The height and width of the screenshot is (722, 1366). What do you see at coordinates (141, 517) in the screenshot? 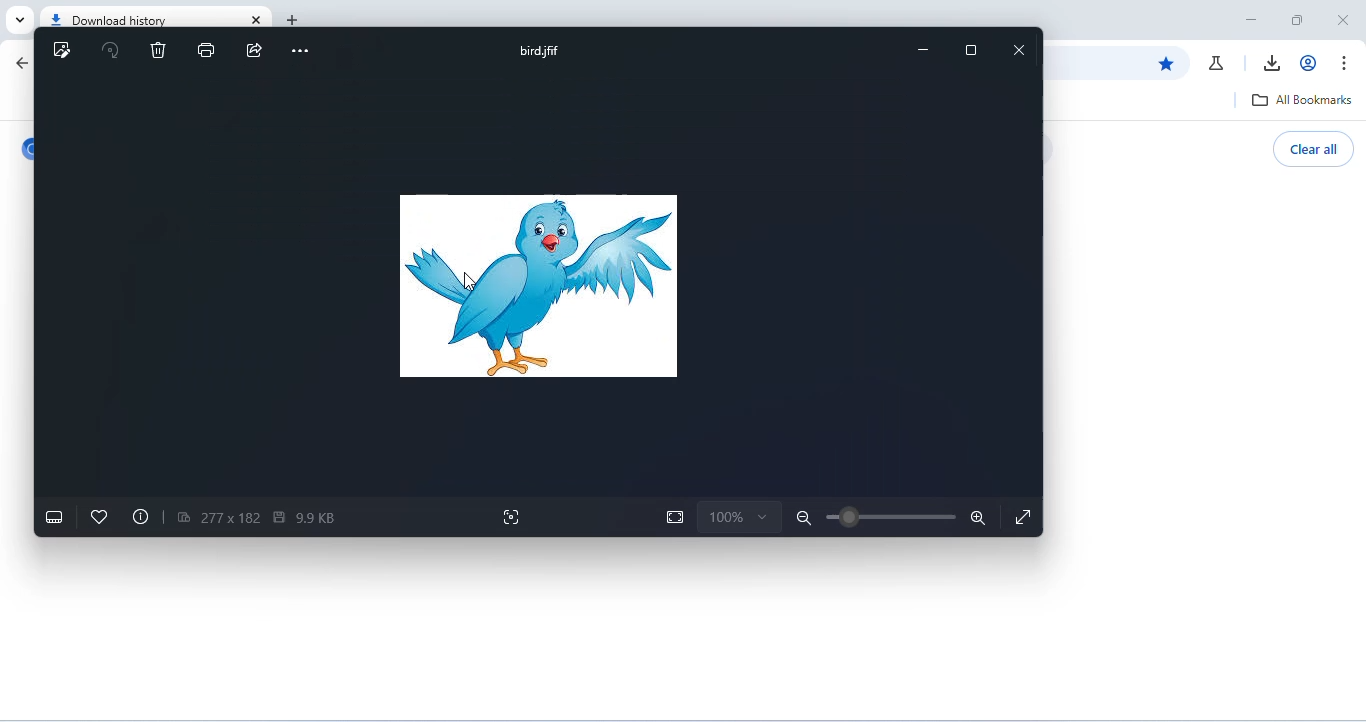
I see `file info` at bounding box center [141, 517].